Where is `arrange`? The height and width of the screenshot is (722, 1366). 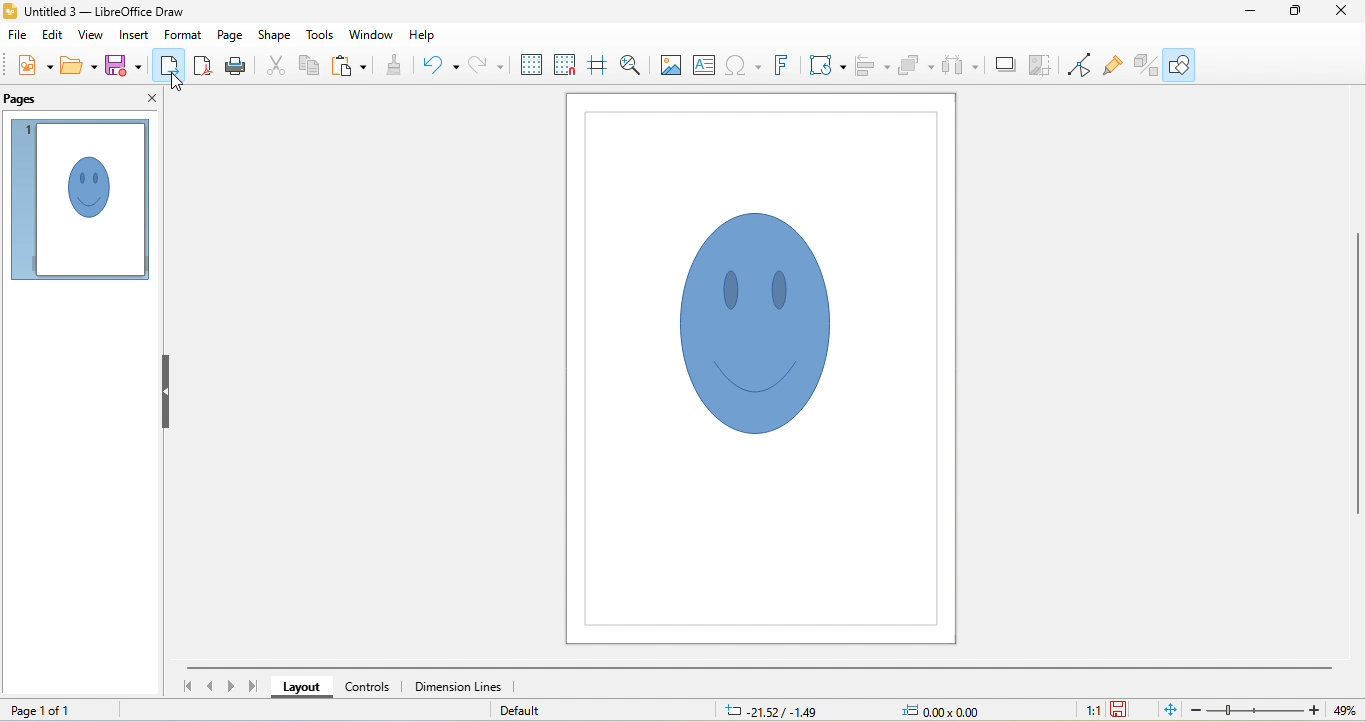 arrange is located at coordinates (914, 66).